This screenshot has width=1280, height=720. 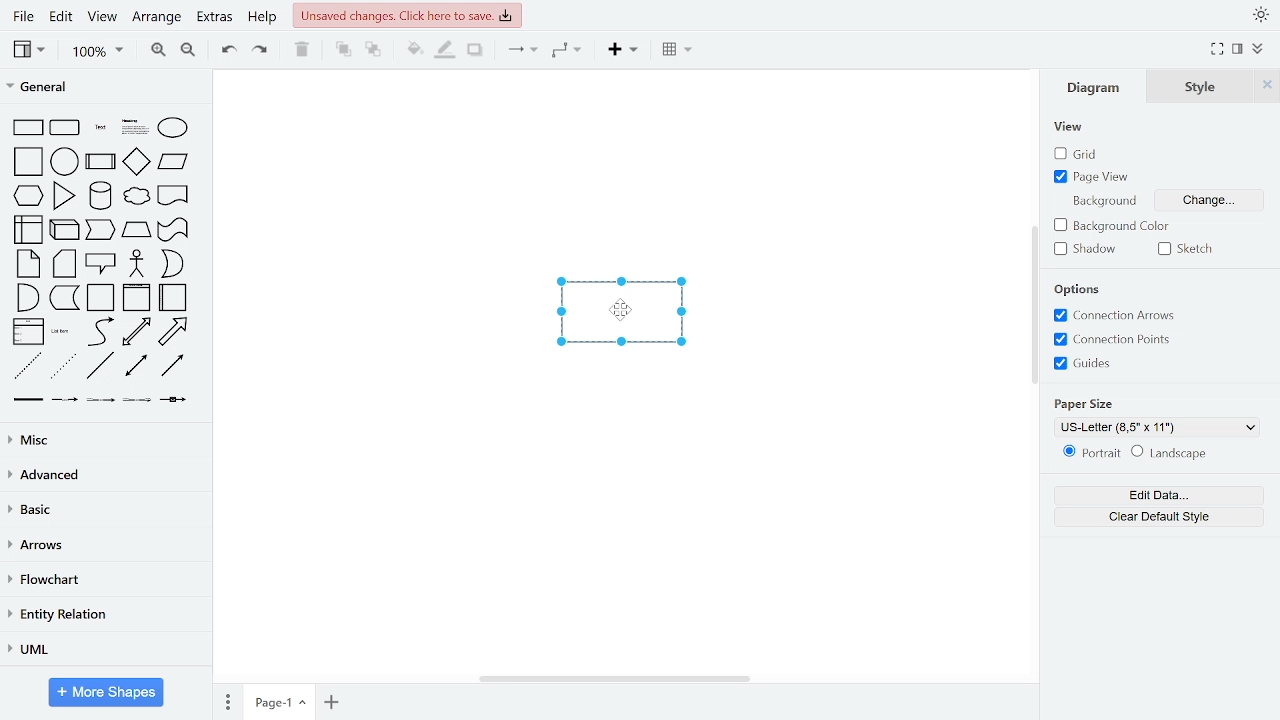 I want to click on Options, so click(x=1079, y=290).